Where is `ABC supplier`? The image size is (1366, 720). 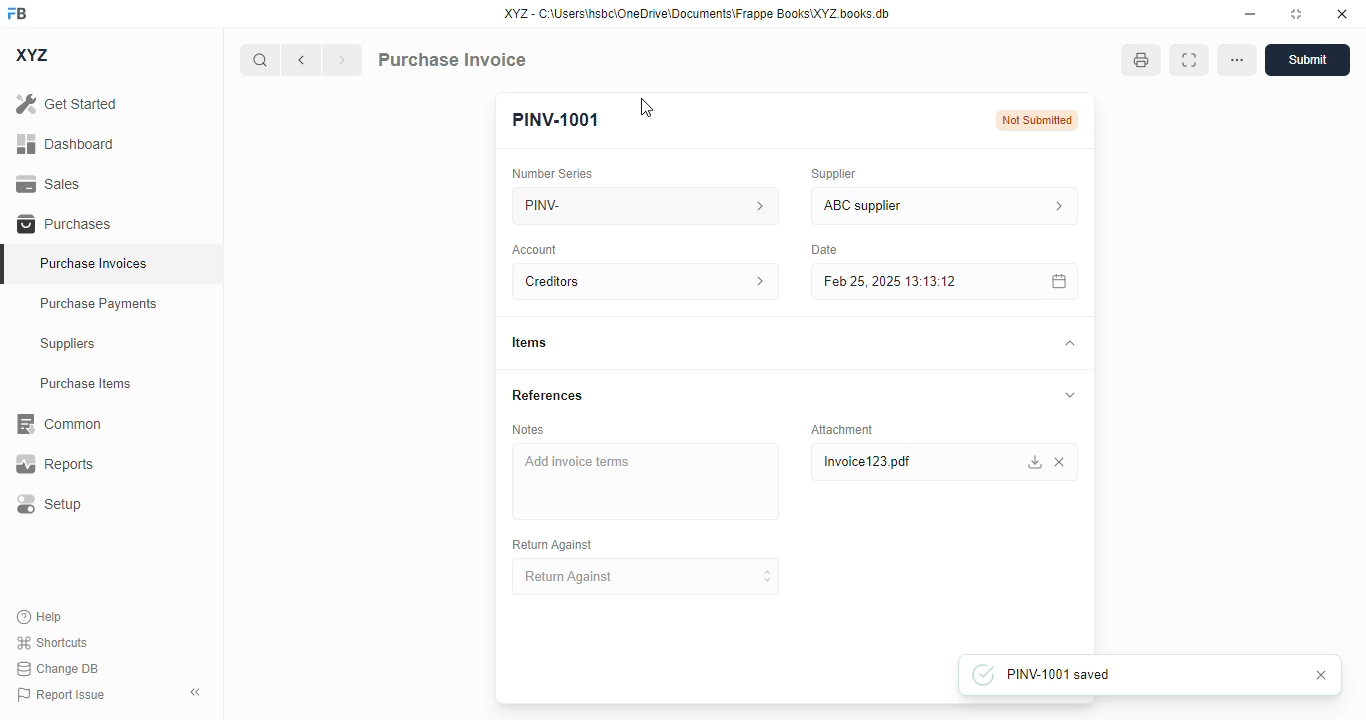 ABC supplier is located at coordinates (906, 206).